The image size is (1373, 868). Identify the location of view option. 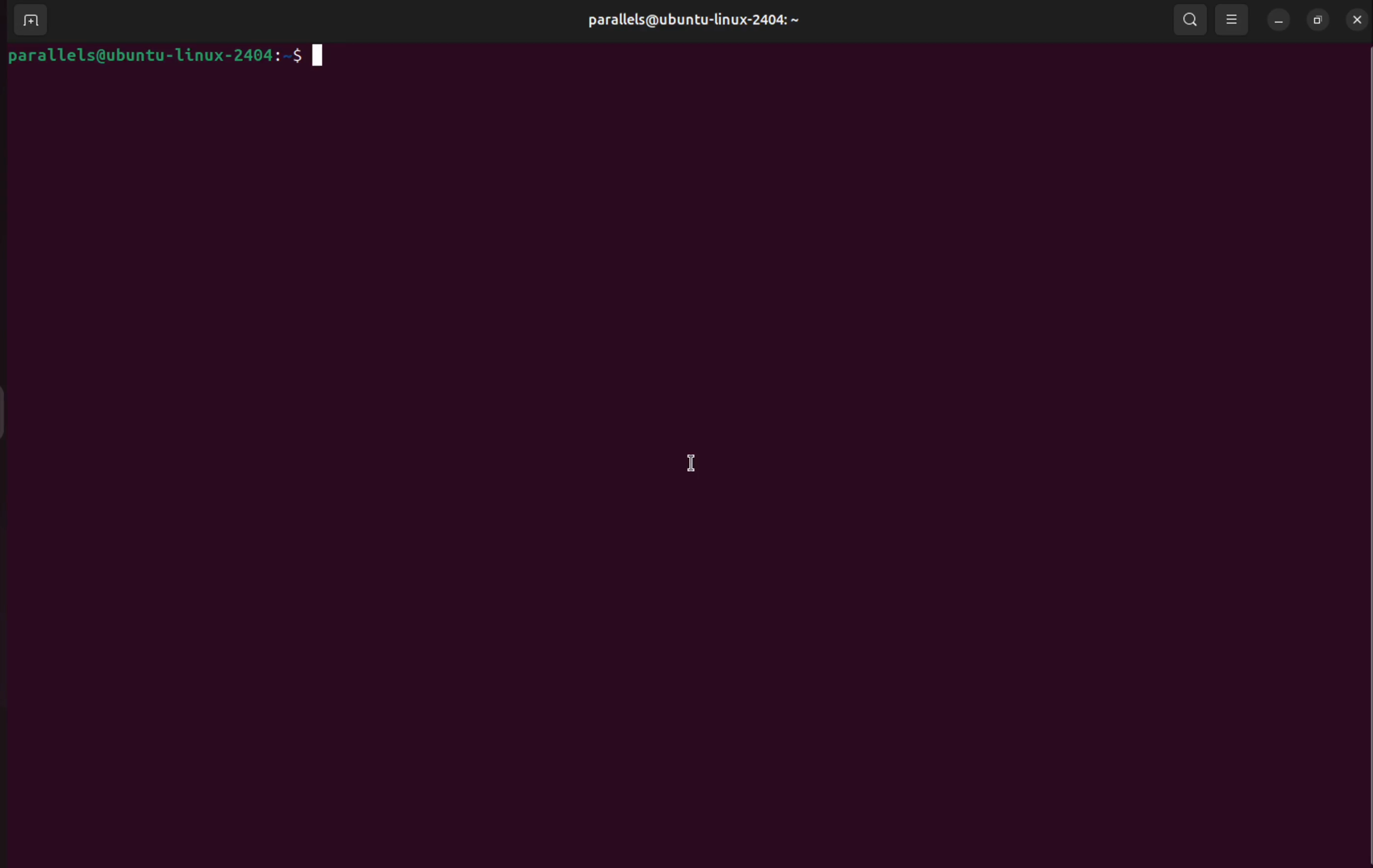
(1233, 19).